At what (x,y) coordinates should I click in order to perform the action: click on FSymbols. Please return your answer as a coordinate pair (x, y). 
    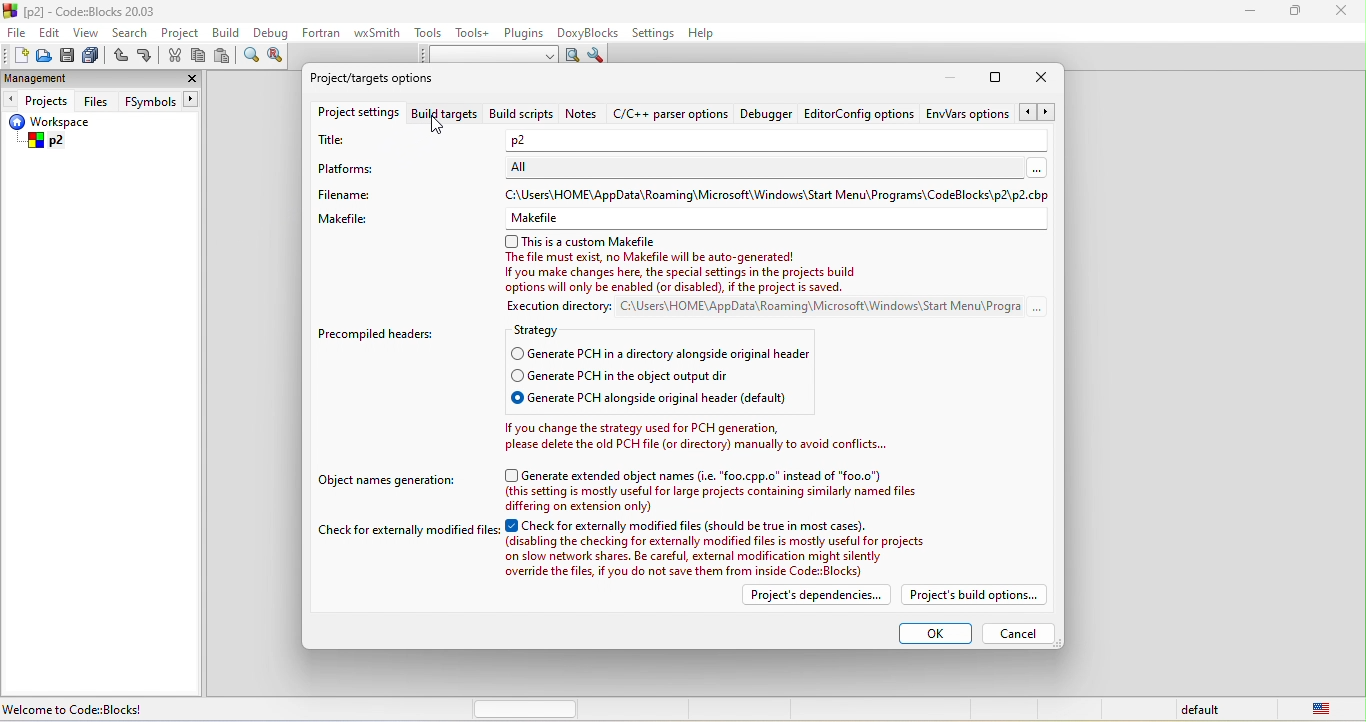
    Looking at the image, I should click on (163, 101).